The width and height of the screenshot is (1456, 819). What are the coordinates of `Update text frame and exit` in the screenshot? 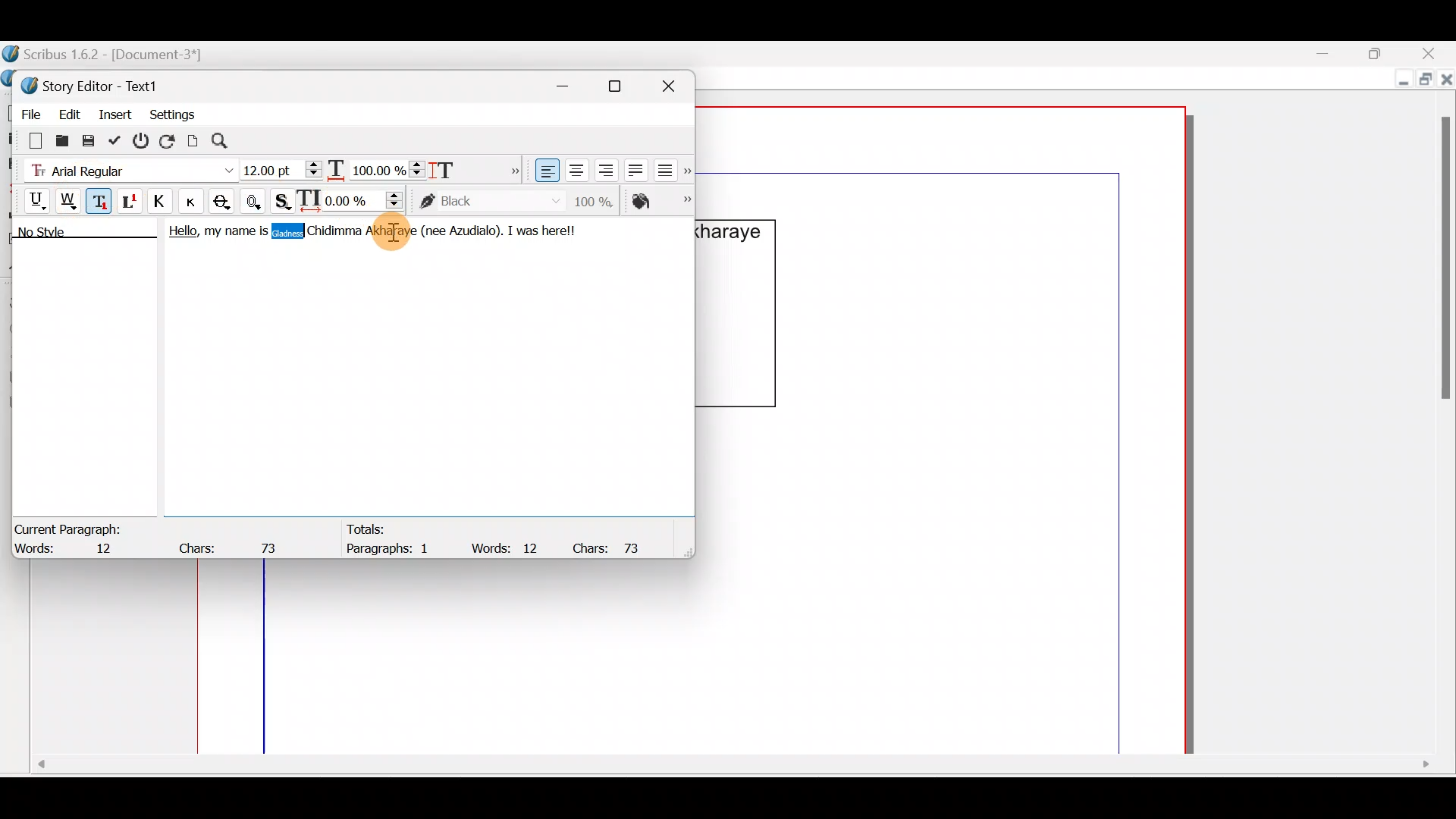 It's located at (118, 138).